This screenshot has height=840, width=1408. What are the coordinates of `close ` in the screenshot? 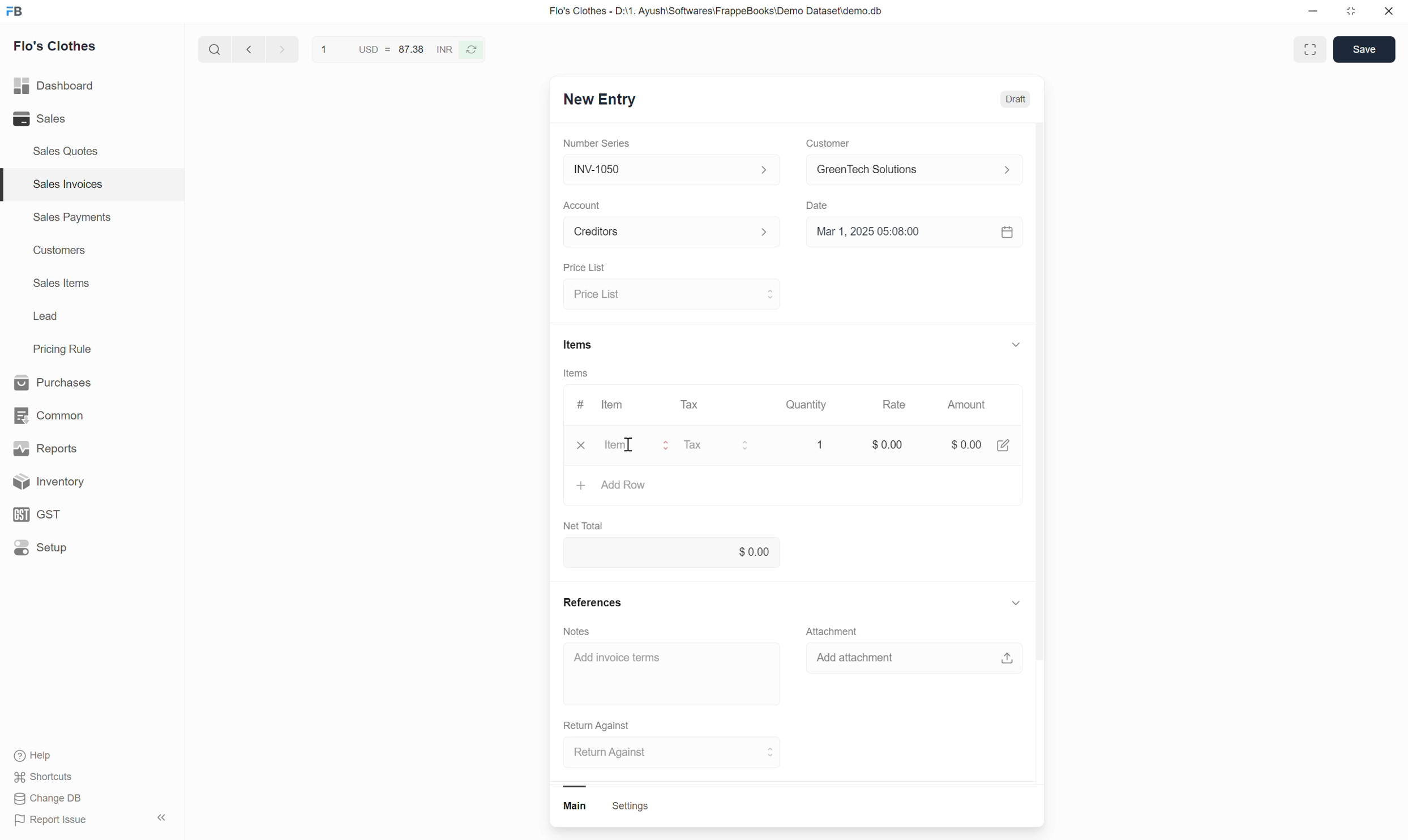 It's located at (575, 448).